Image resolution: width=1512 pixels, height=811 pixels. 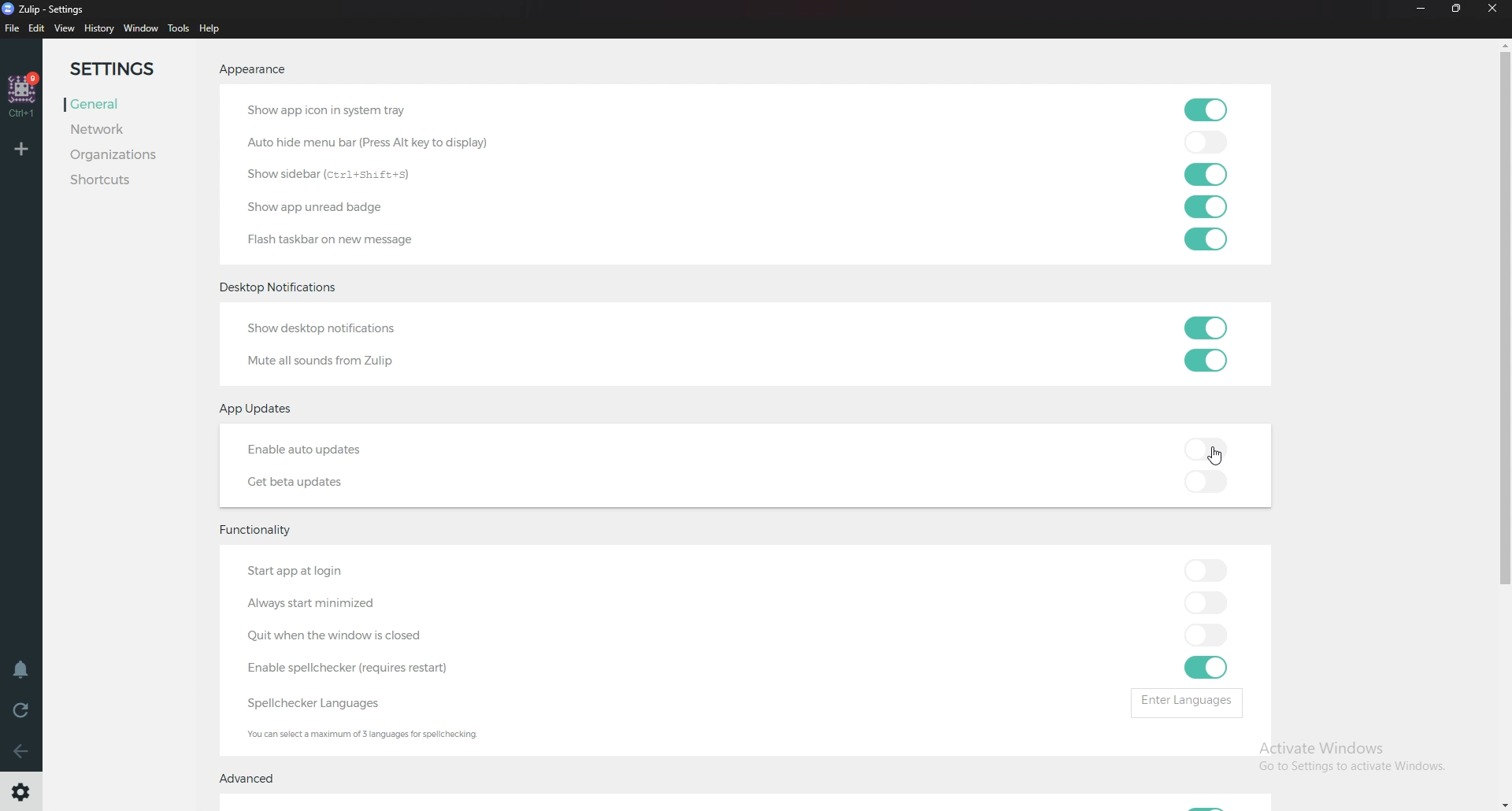 What do you see at coordinates (1202, 172) in the screenshot?
I see `toggle` at bounding box center [1202, 172].